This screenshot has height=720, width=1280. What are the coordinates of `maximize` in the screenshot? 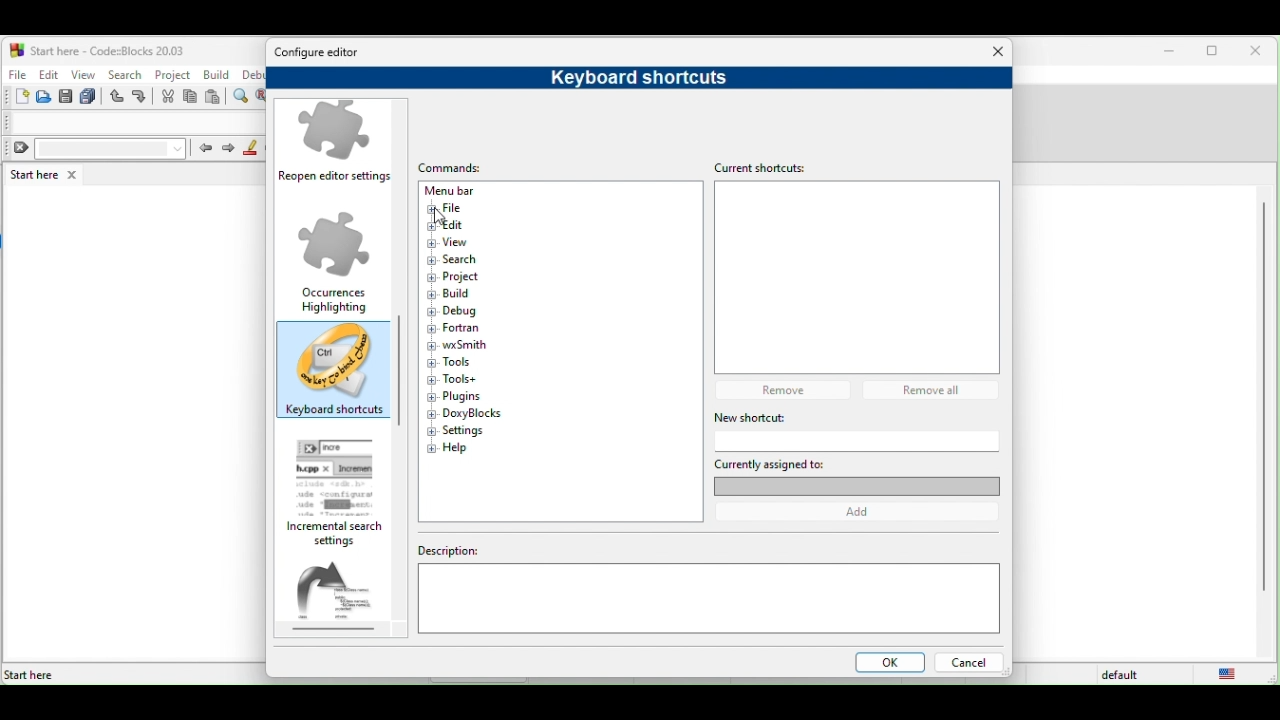 It's located at (1216, 53).